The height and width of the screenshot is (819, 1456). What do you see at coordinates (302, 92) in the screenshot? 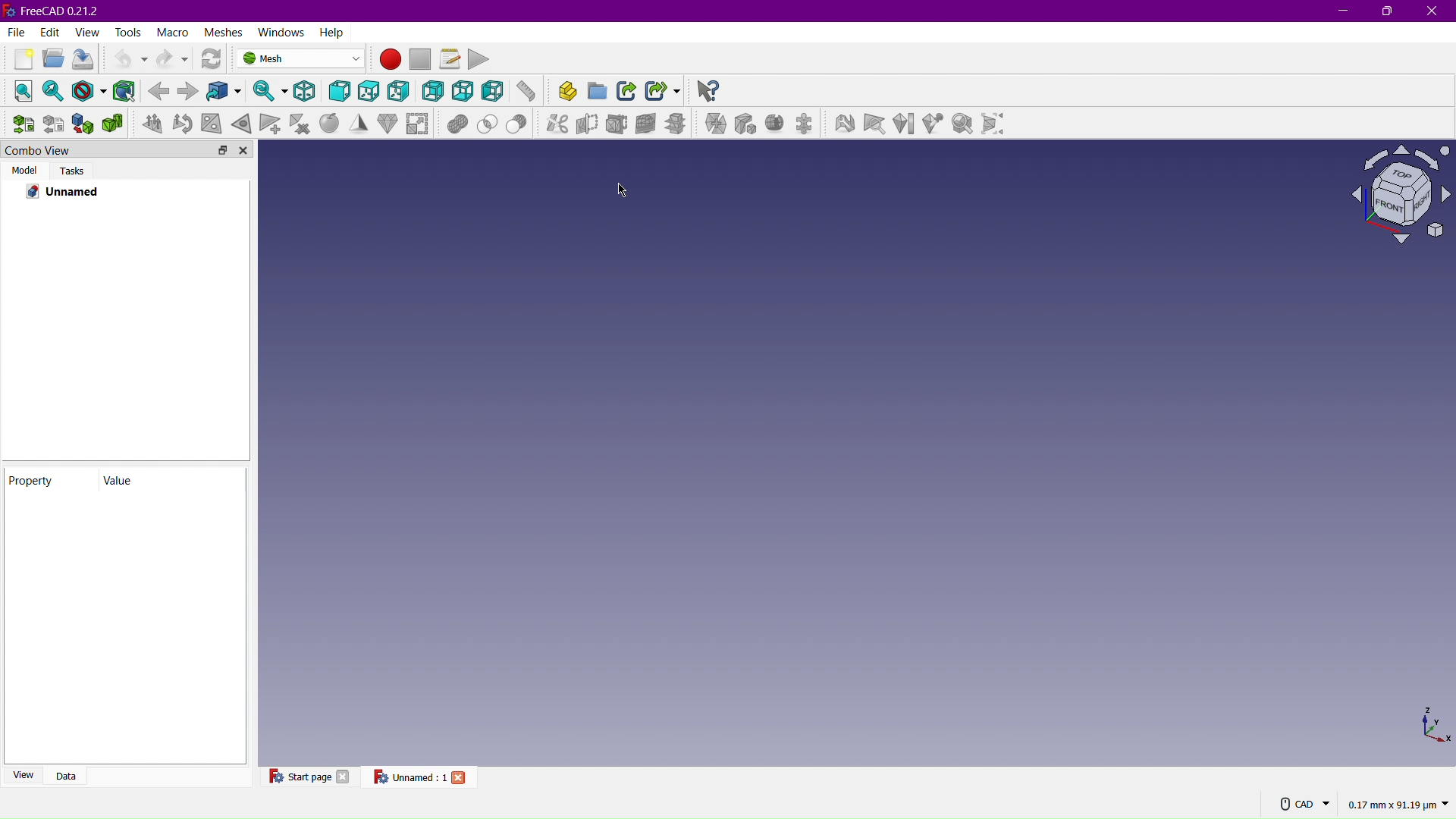
I see `Isometric` at bounding box center [302, 92].